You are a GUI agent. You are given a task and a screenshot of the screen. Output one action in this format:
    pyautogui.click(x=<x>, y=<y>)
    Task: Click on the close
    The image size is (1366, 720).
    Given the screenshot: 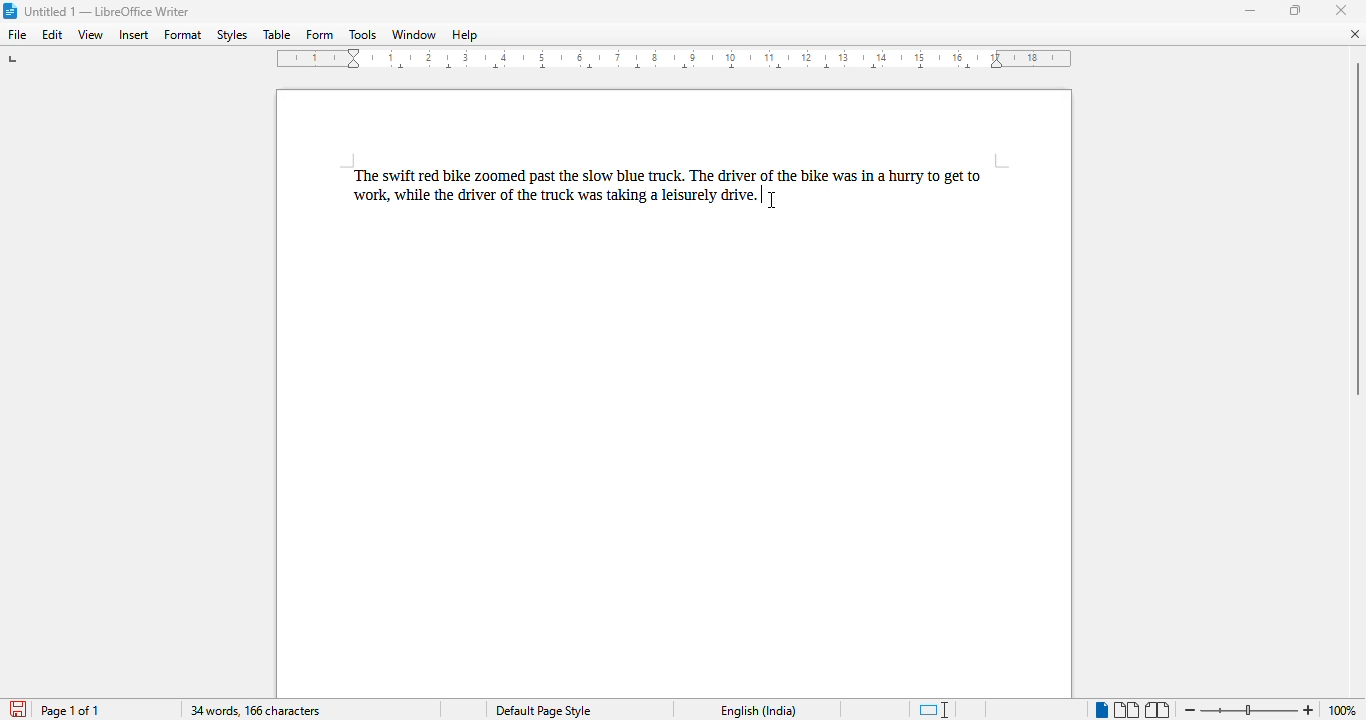 What is the action you would take?
    pyautogui.click(x=1341, y=10)
    